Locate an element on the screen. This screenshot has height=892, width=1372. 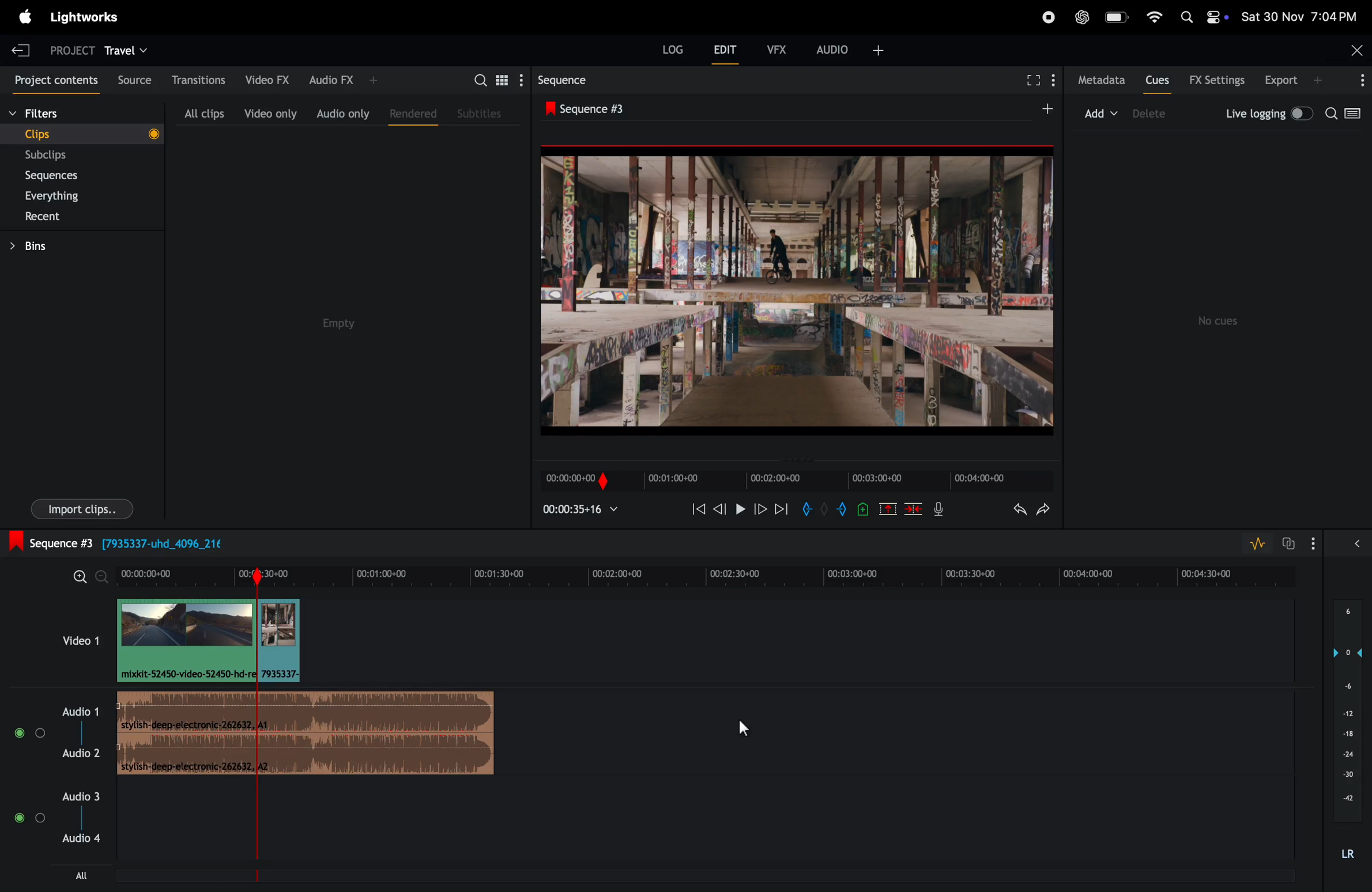
-24 (layers) is located at coordinates (1344, 754).